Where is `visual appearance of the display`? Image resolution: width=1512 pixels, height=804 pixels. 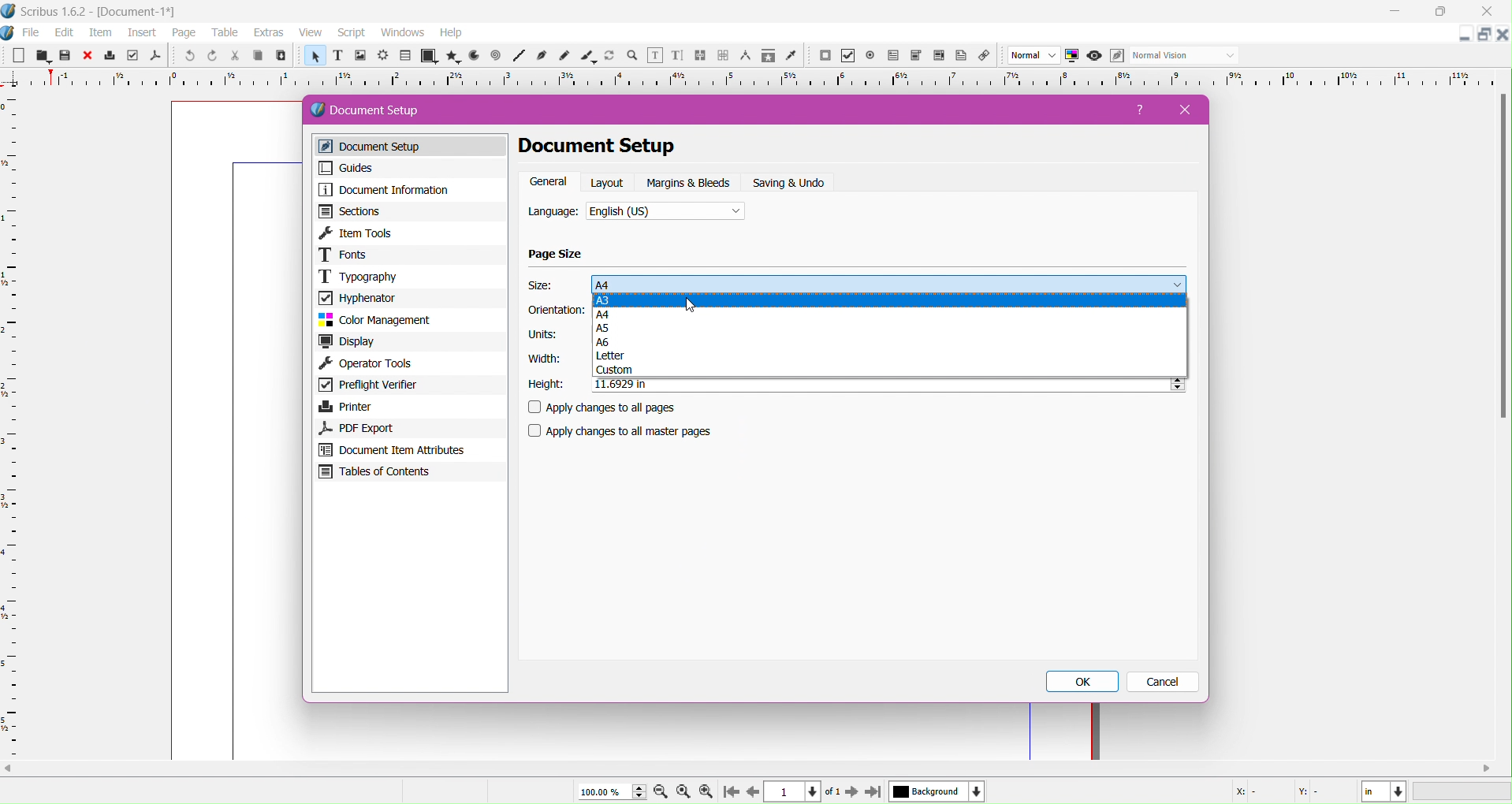 visual appearance of the display is located at coordinates (1183, 56).